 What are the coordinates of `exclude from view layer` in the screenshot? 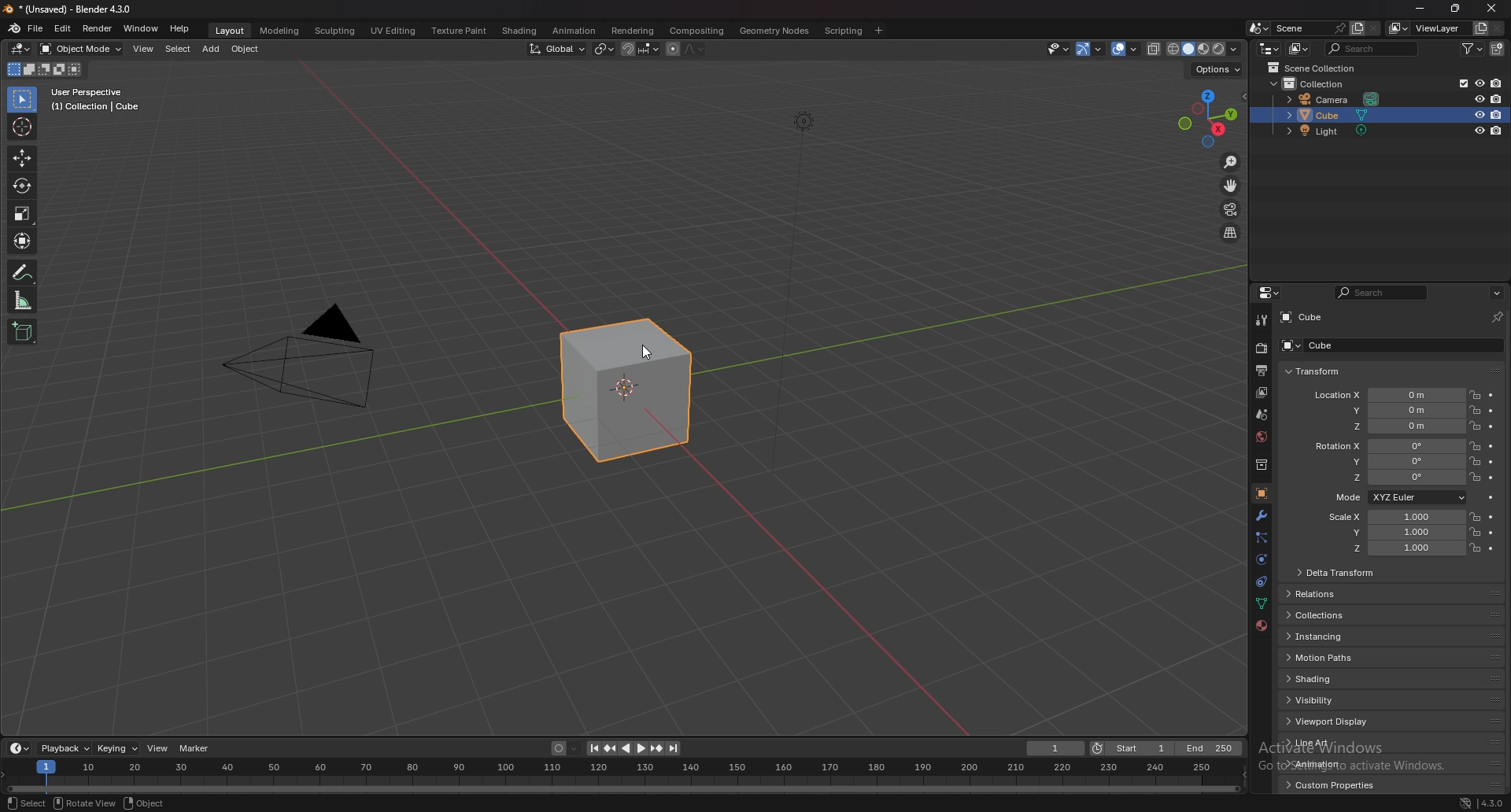 It's located at (1459, 83).